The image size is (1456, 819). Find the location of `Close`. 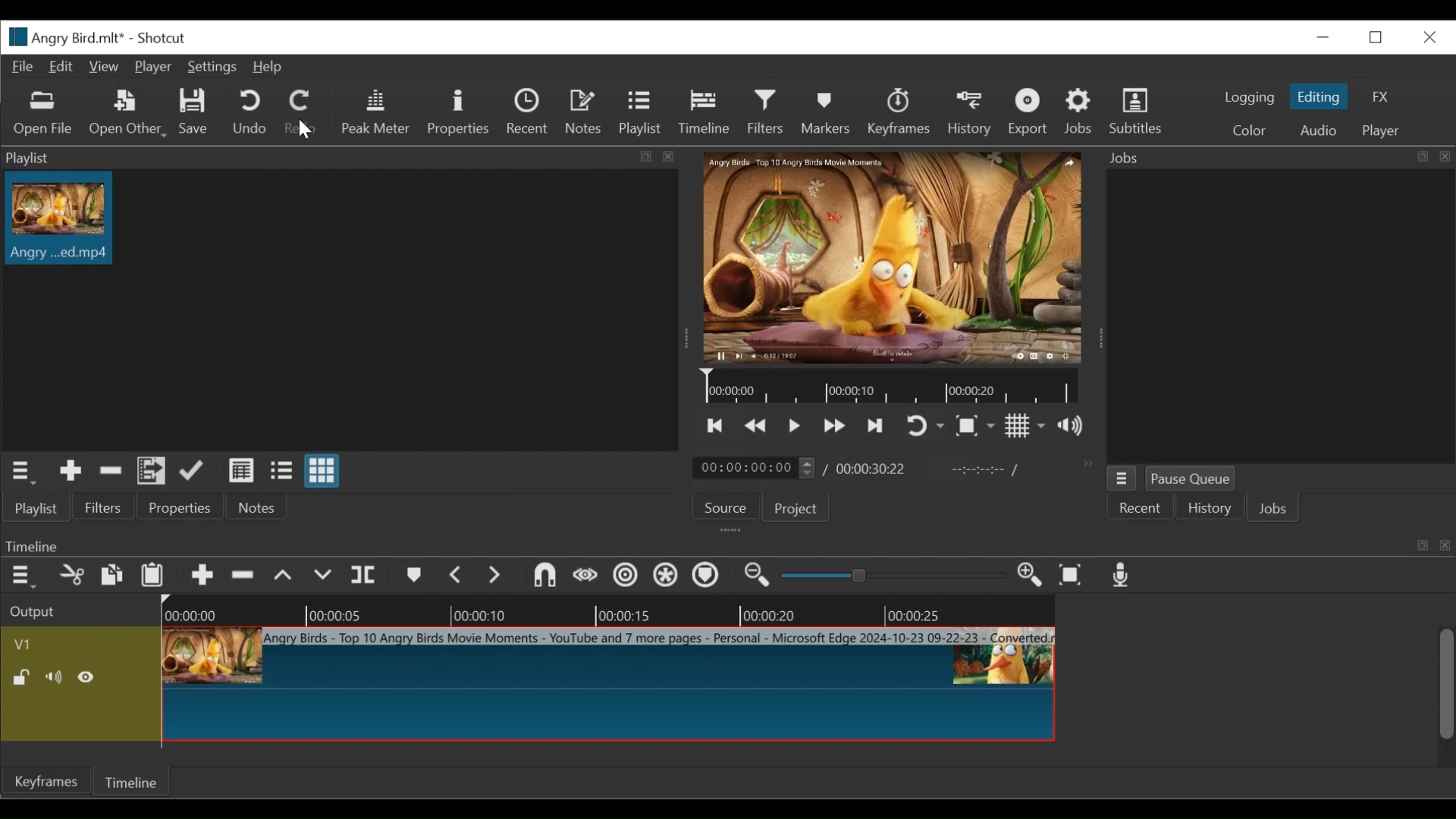

Close is located at coordinates (1428, 37).